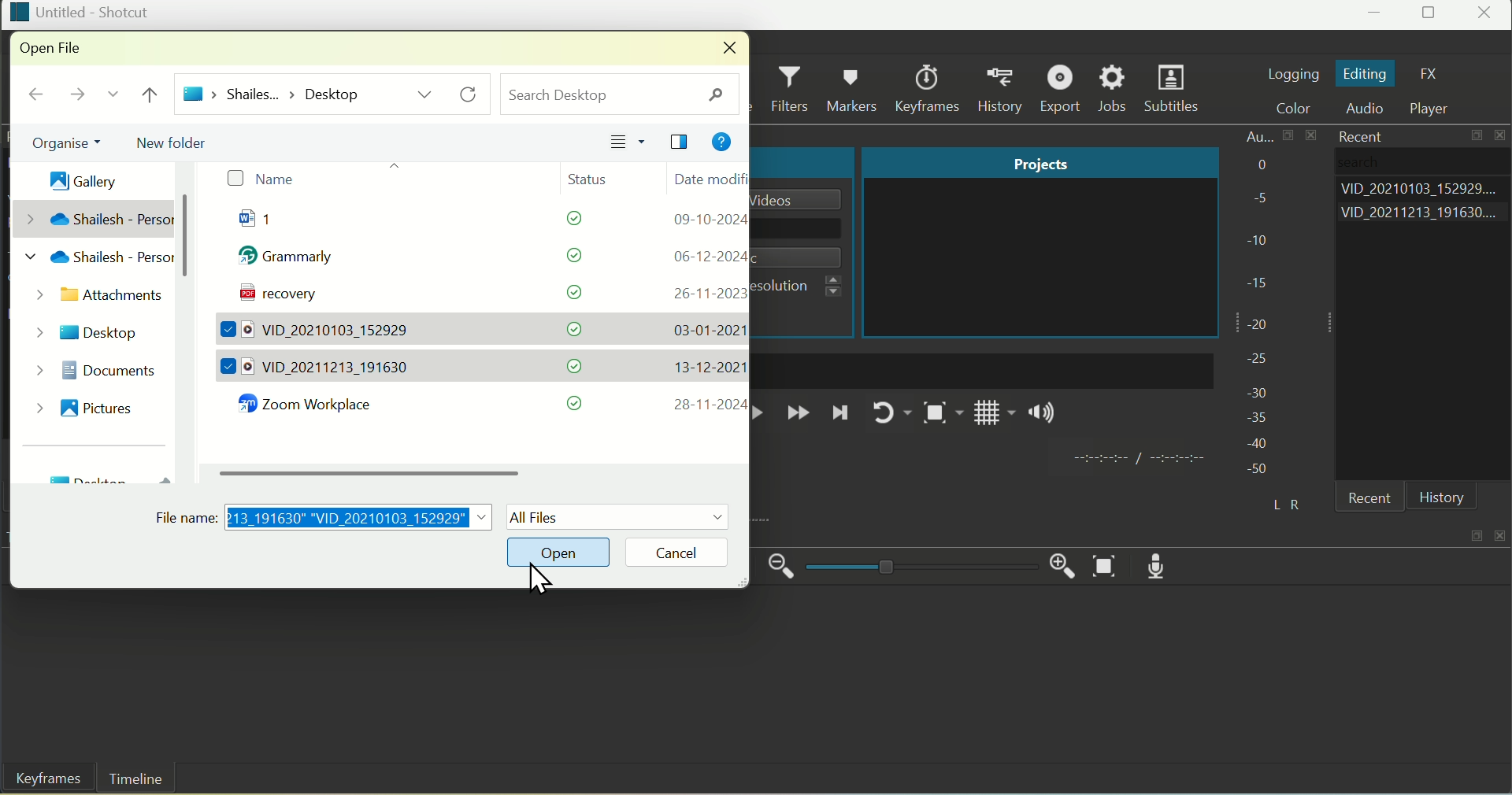 Image resolution: width=1512 pixels, height=795 pixels. What do you see at coordinates (177, 140) in the screenshot?
I see `New Folder` at bounding box center [177, 140].